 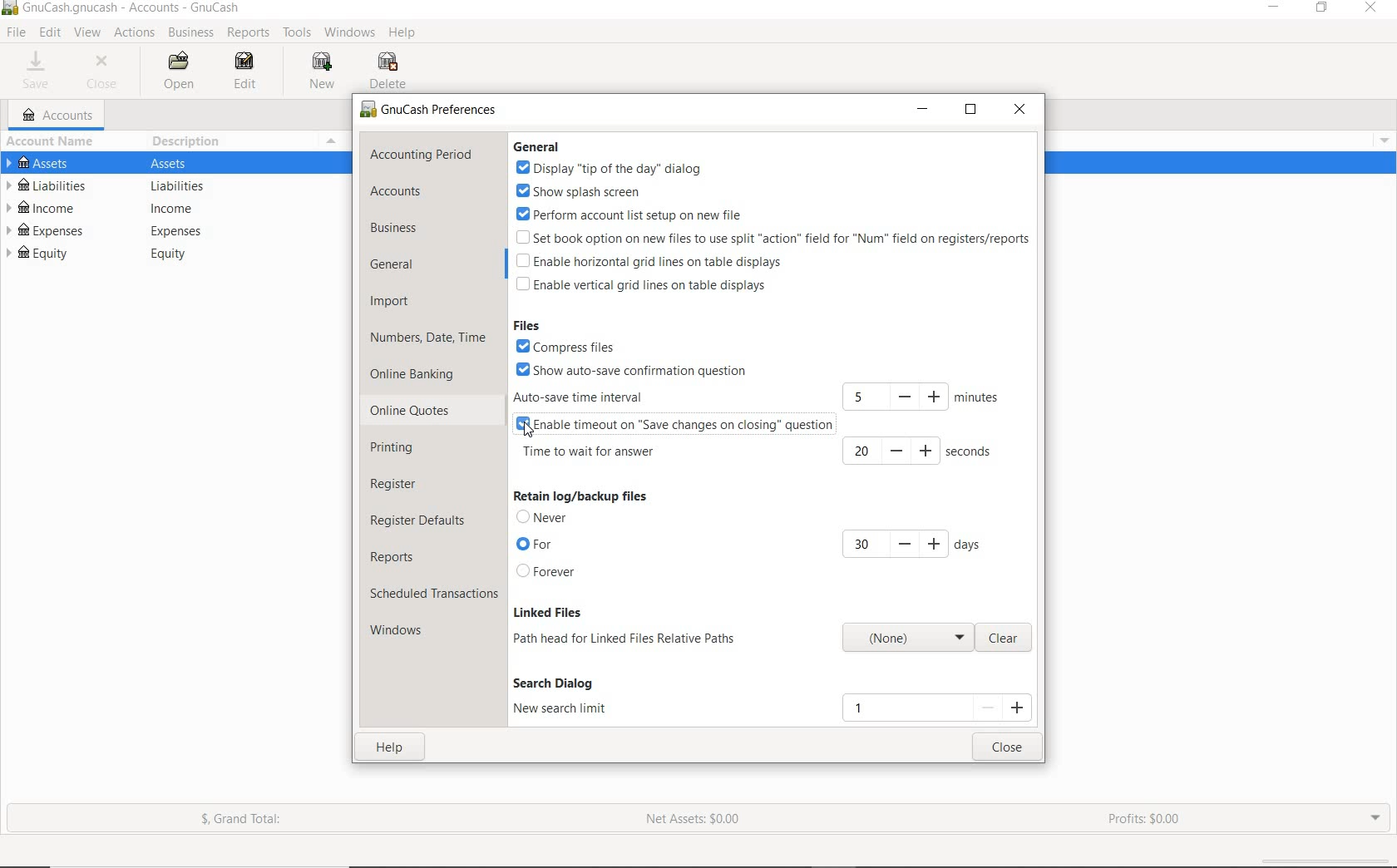 I want to click on CLOSE, so click(x=1019, y=111).